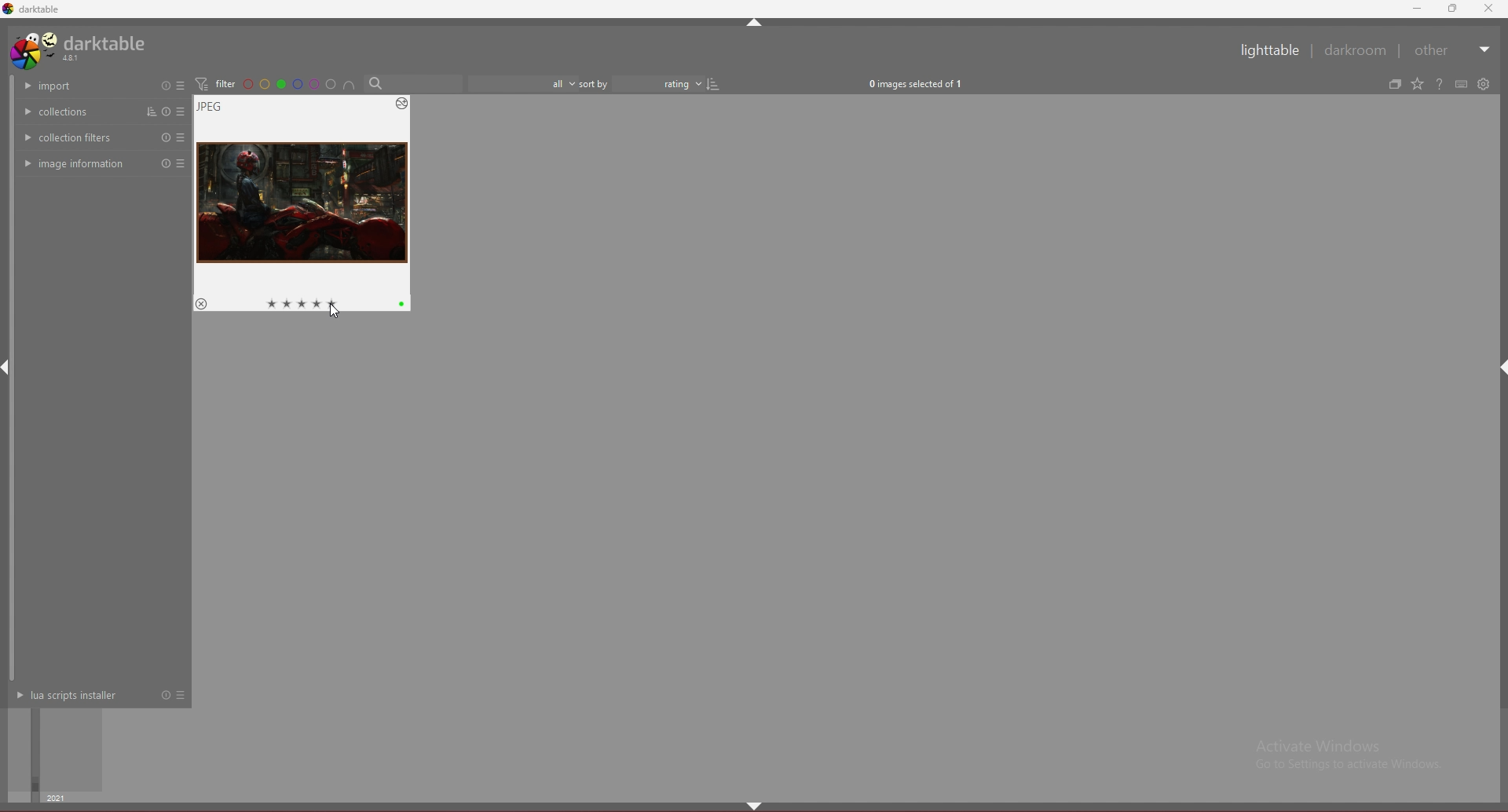  Describe the element at coordinates (522, 84) in the screenshot. I see `filter by images rating` at that location.